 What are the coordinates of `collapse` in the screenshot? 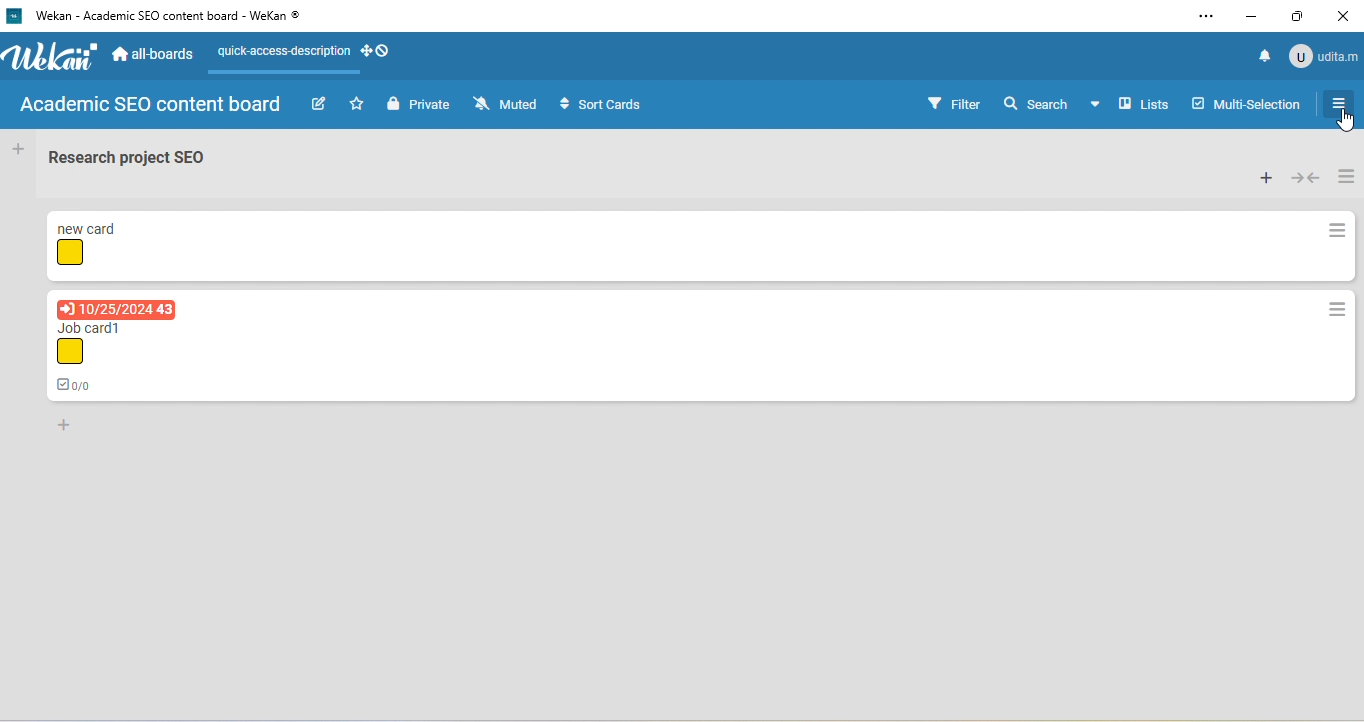 It's located at (1306, 176).